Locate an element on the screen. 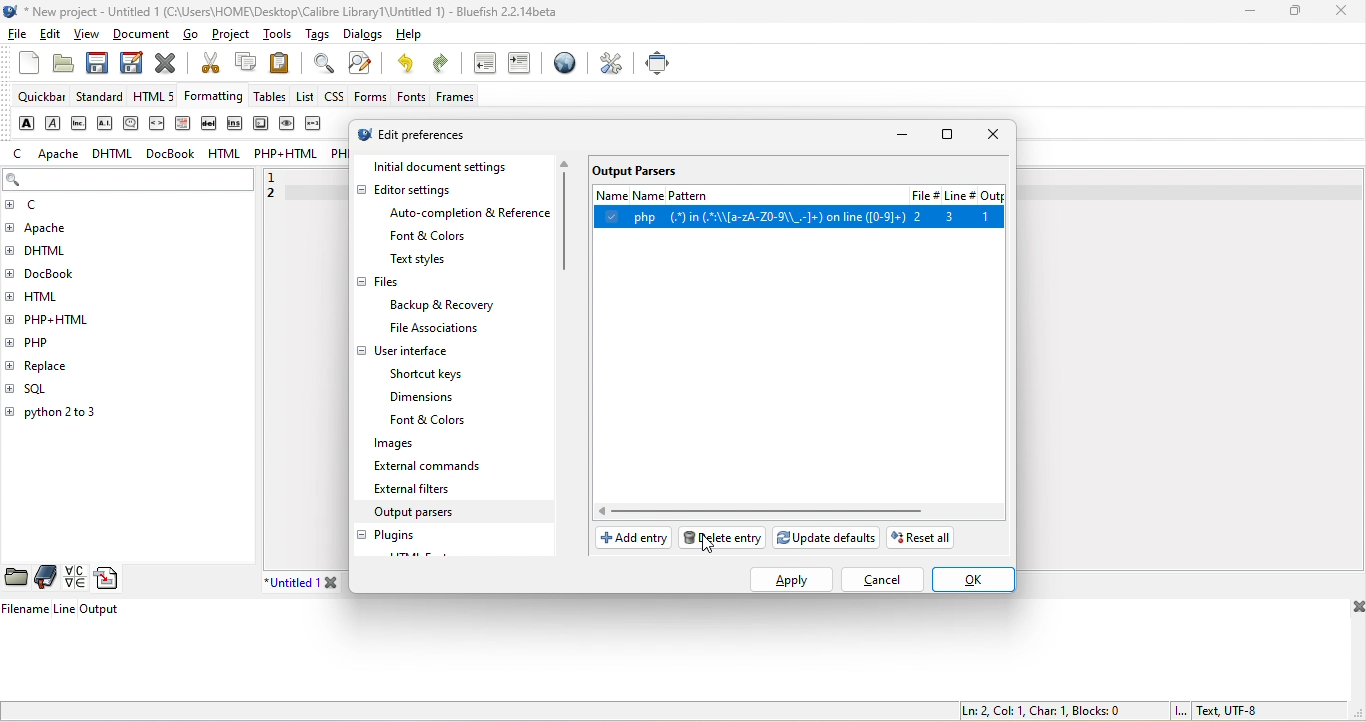  plugins is located at coordinates (394, 536).